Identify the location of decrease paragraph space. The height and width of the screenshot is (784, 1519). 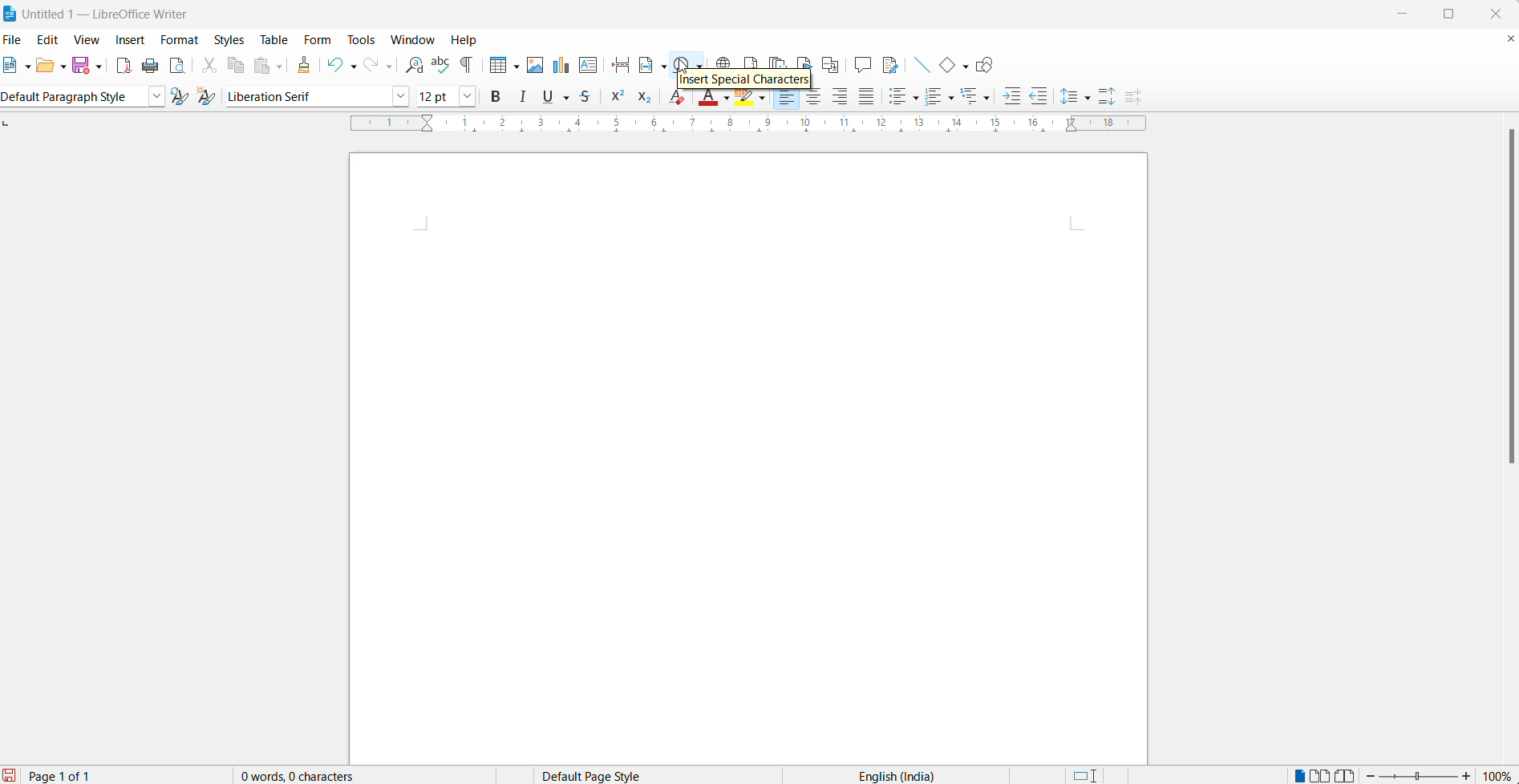
(1142, 98).